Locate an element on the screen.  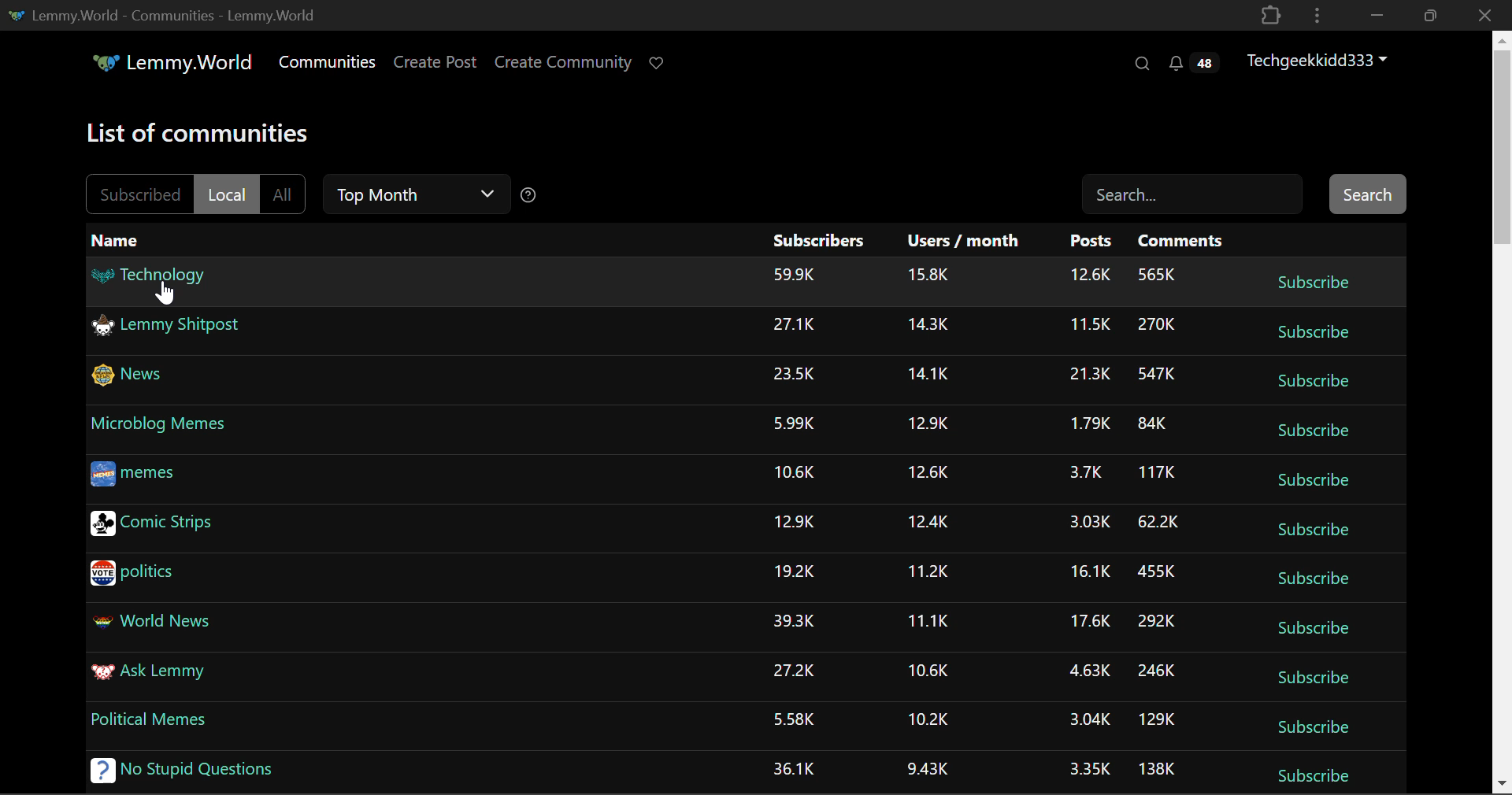
Amount  is located at coordinates (793, 274).